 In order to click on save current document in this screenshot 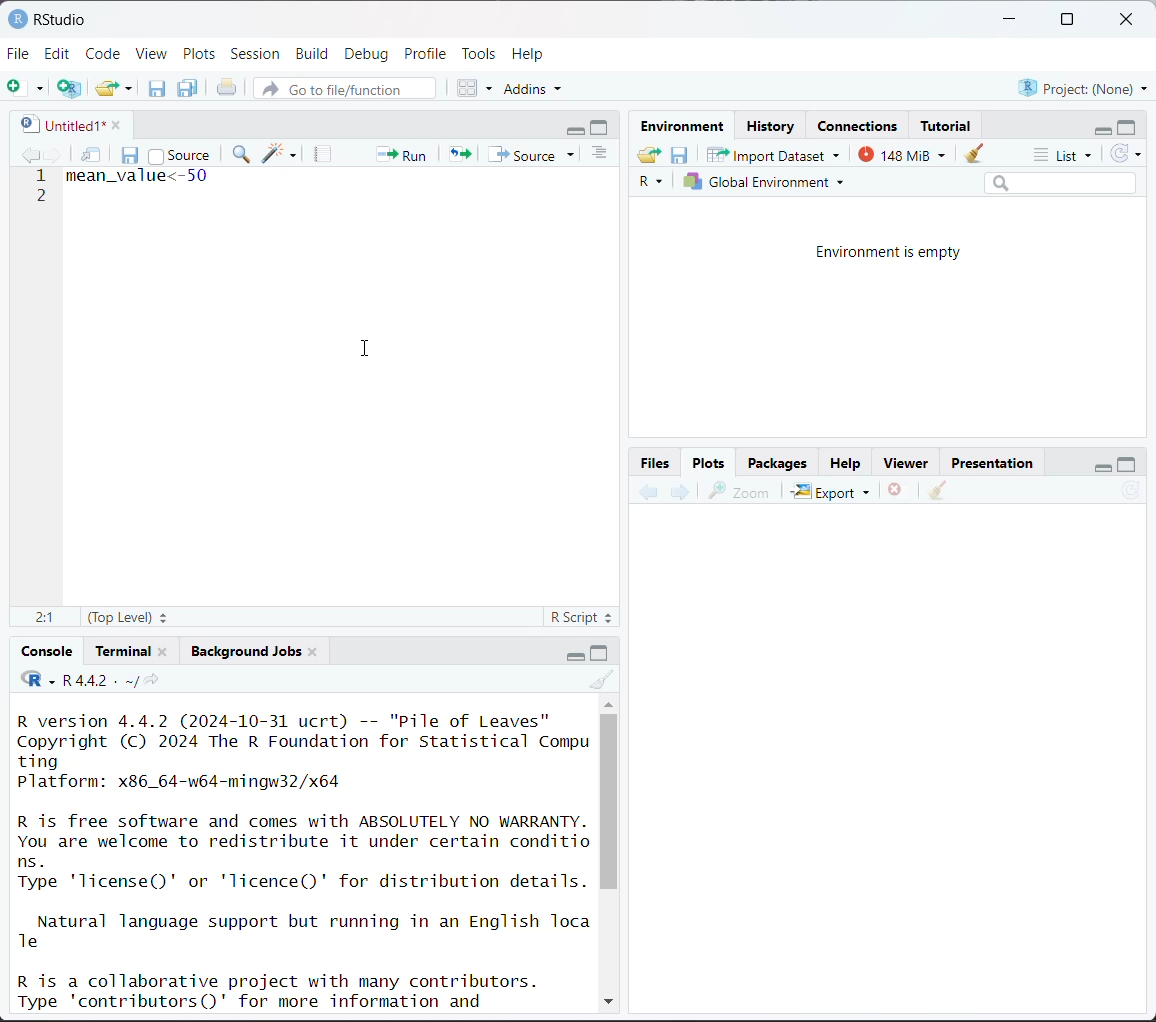, I will do `click(131, 153)`.